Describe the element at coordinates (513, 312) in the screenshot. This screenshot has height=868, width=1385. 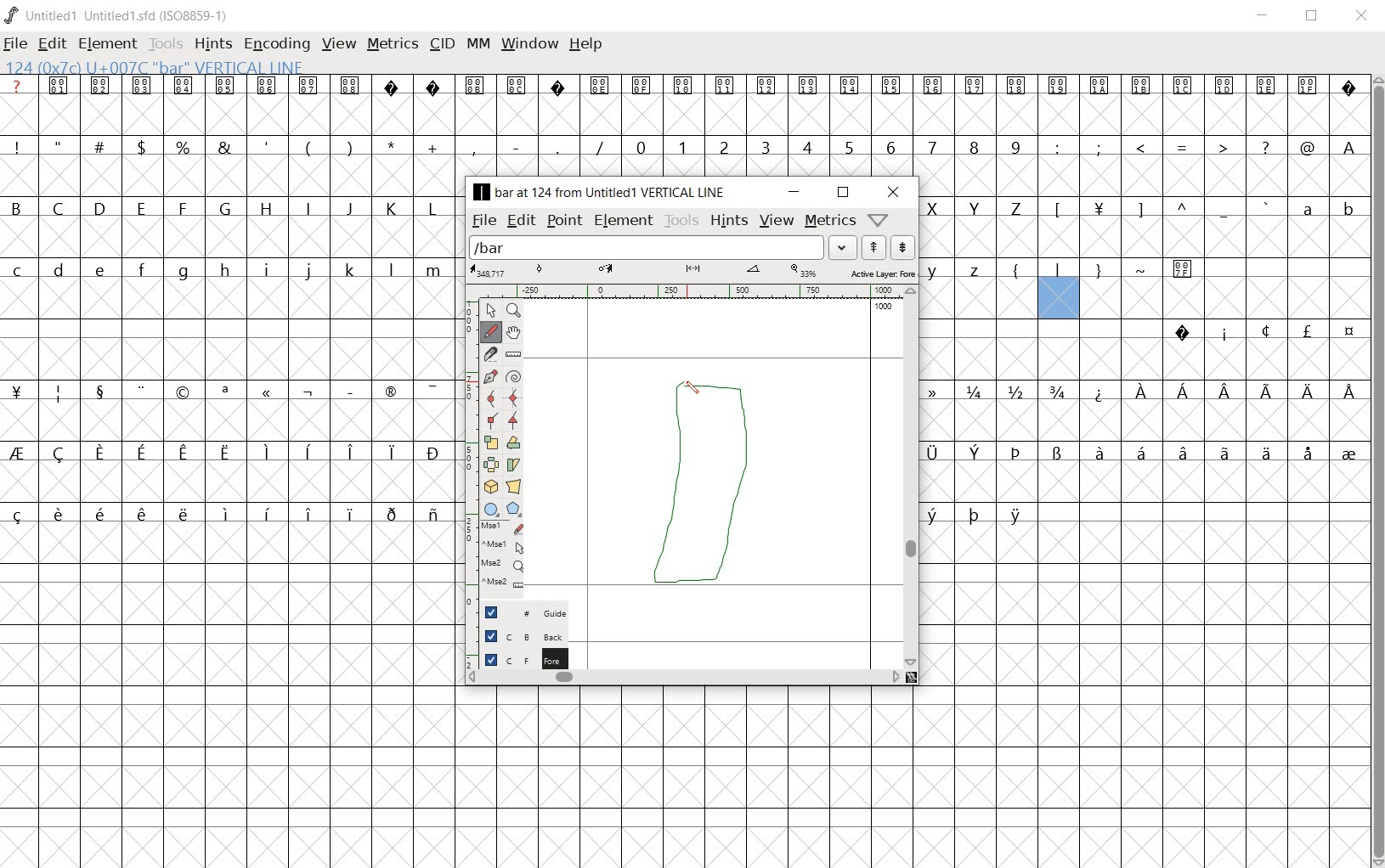
I see `Magnify` at that location.